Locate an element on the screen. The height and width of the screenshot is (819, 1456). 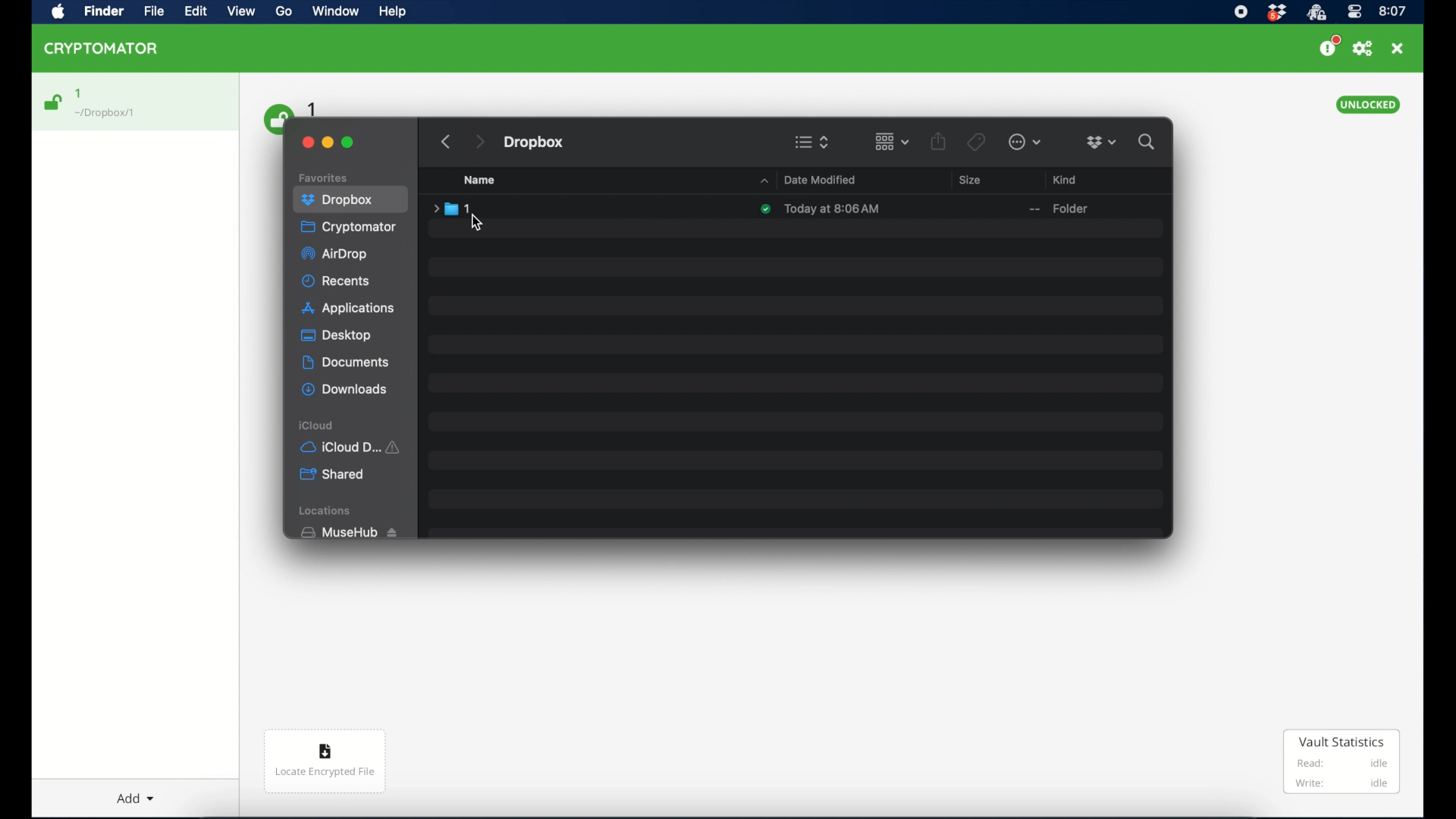
Go is located at coordinates (289, 15).